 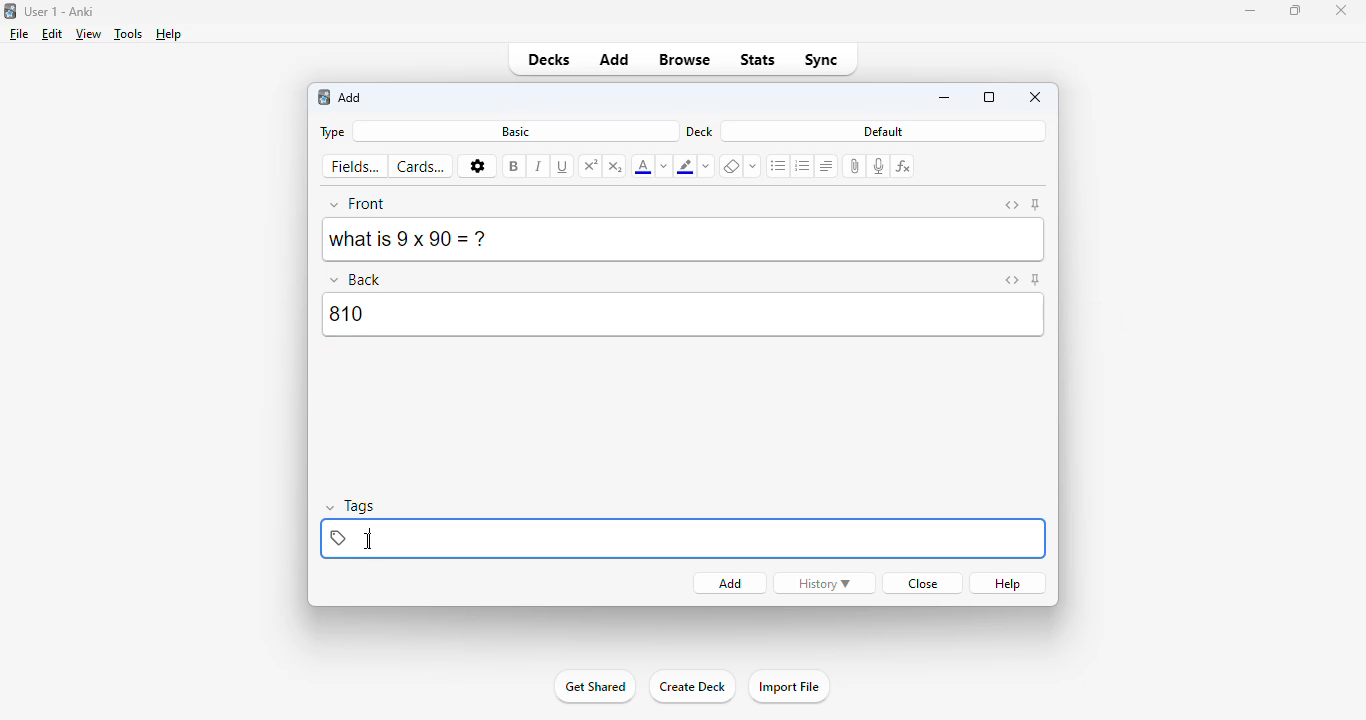 I want to click on deck, so click(x=700, y=131).